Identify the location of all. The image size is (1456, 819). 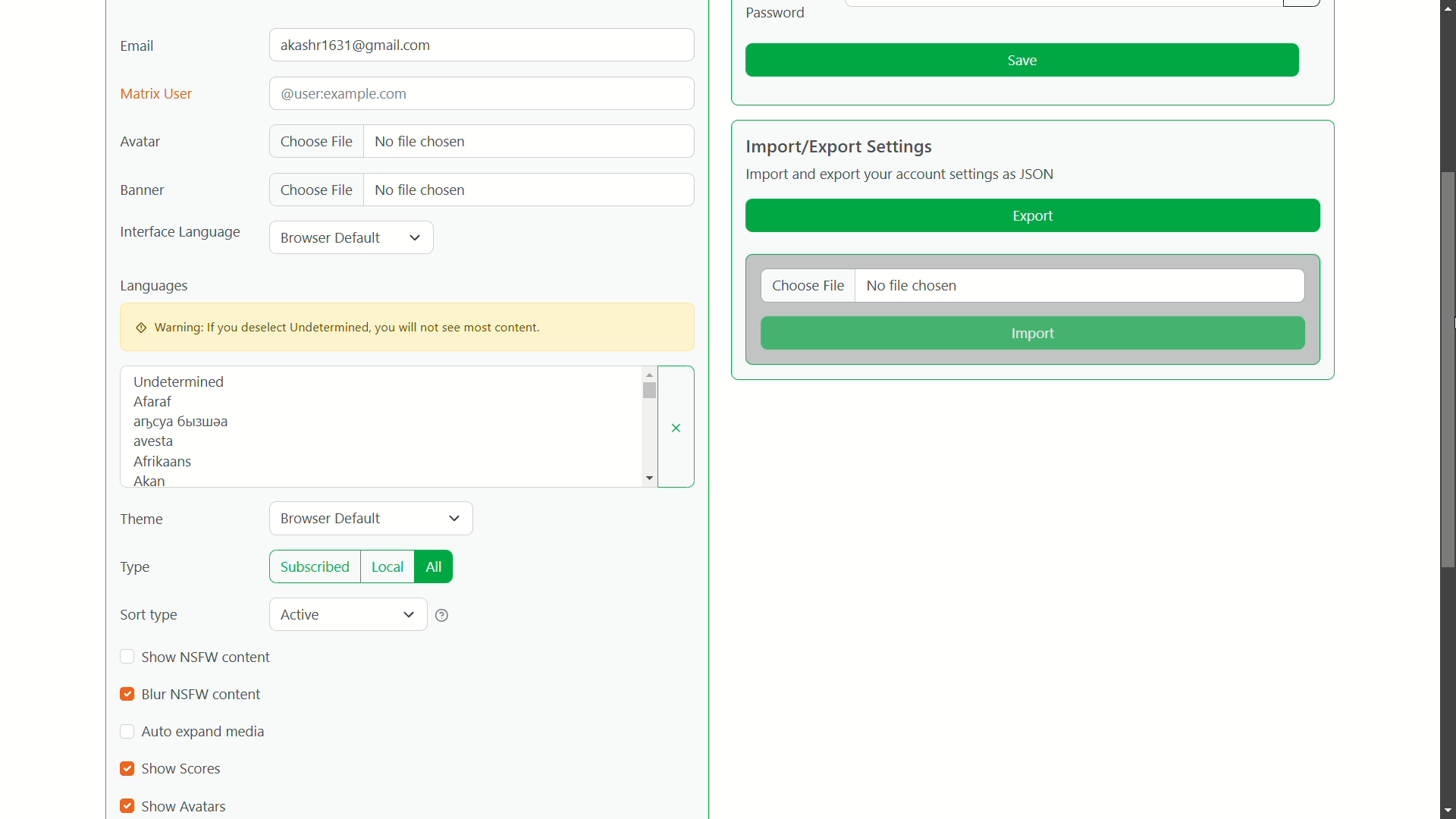
(434, 567).